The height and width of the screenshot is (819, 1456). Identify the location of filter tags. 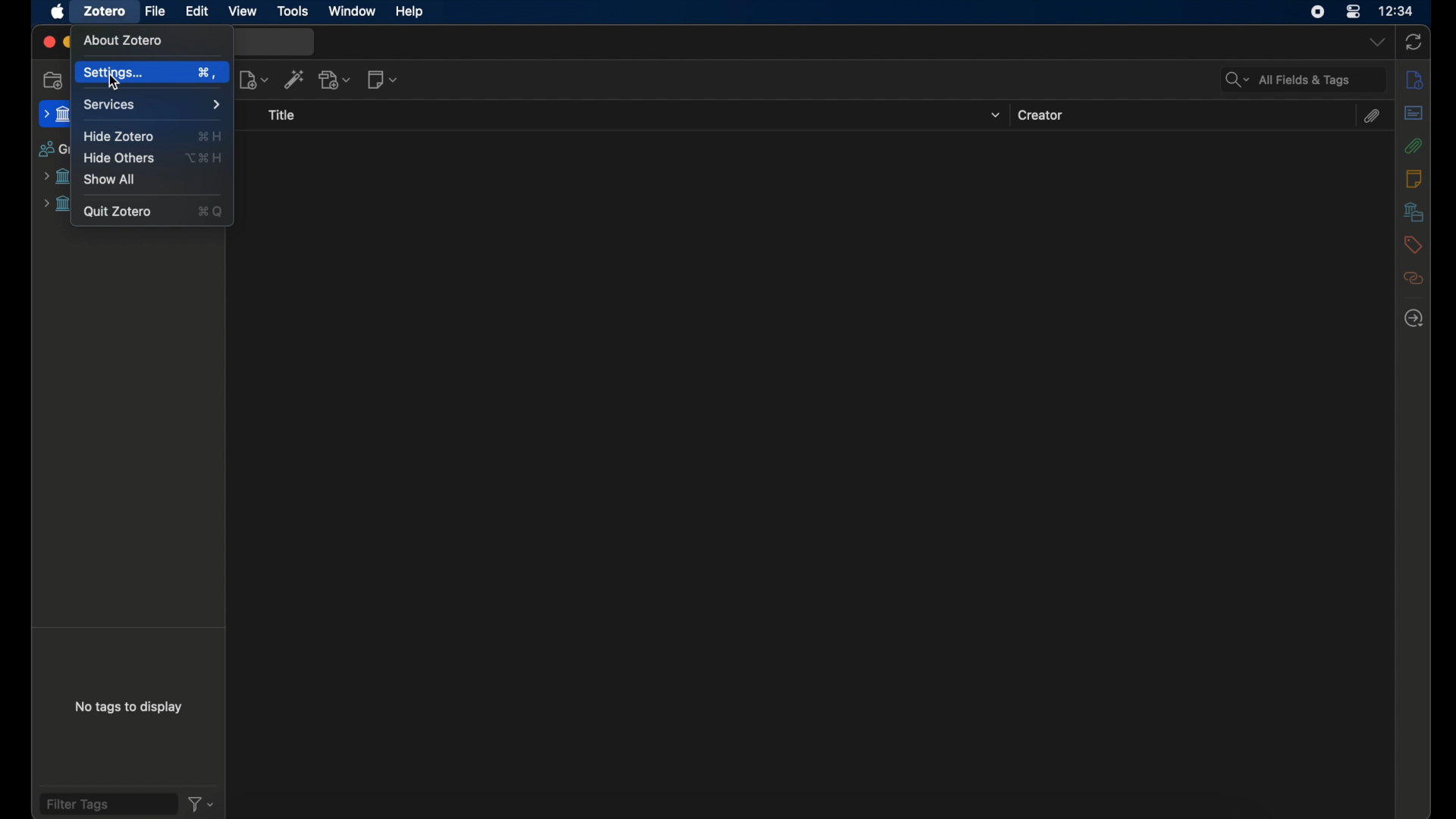
(107, 804).